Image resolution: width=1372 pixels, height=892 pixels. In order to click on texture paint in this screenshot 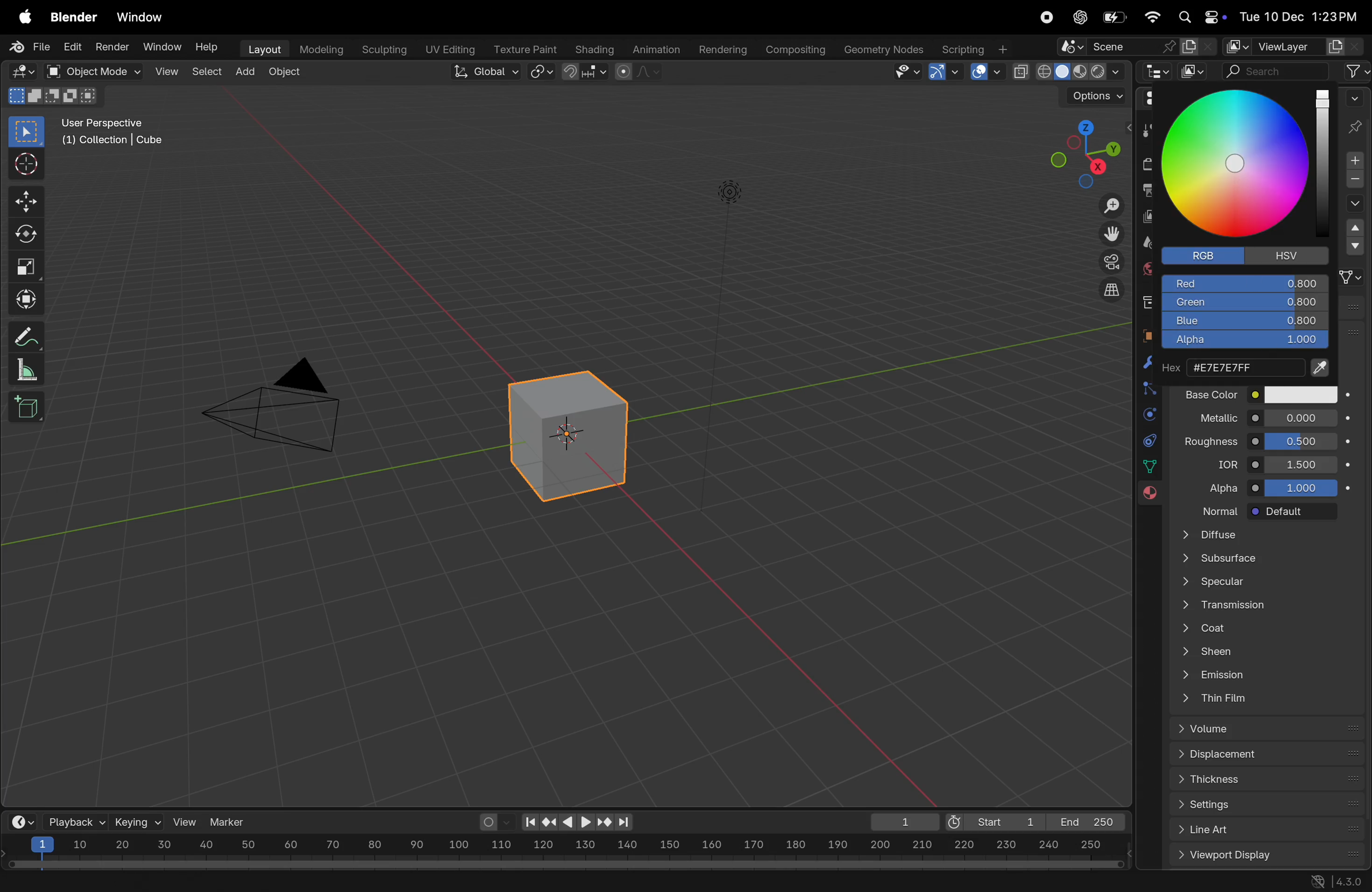, I will do `click(523, 46)`.